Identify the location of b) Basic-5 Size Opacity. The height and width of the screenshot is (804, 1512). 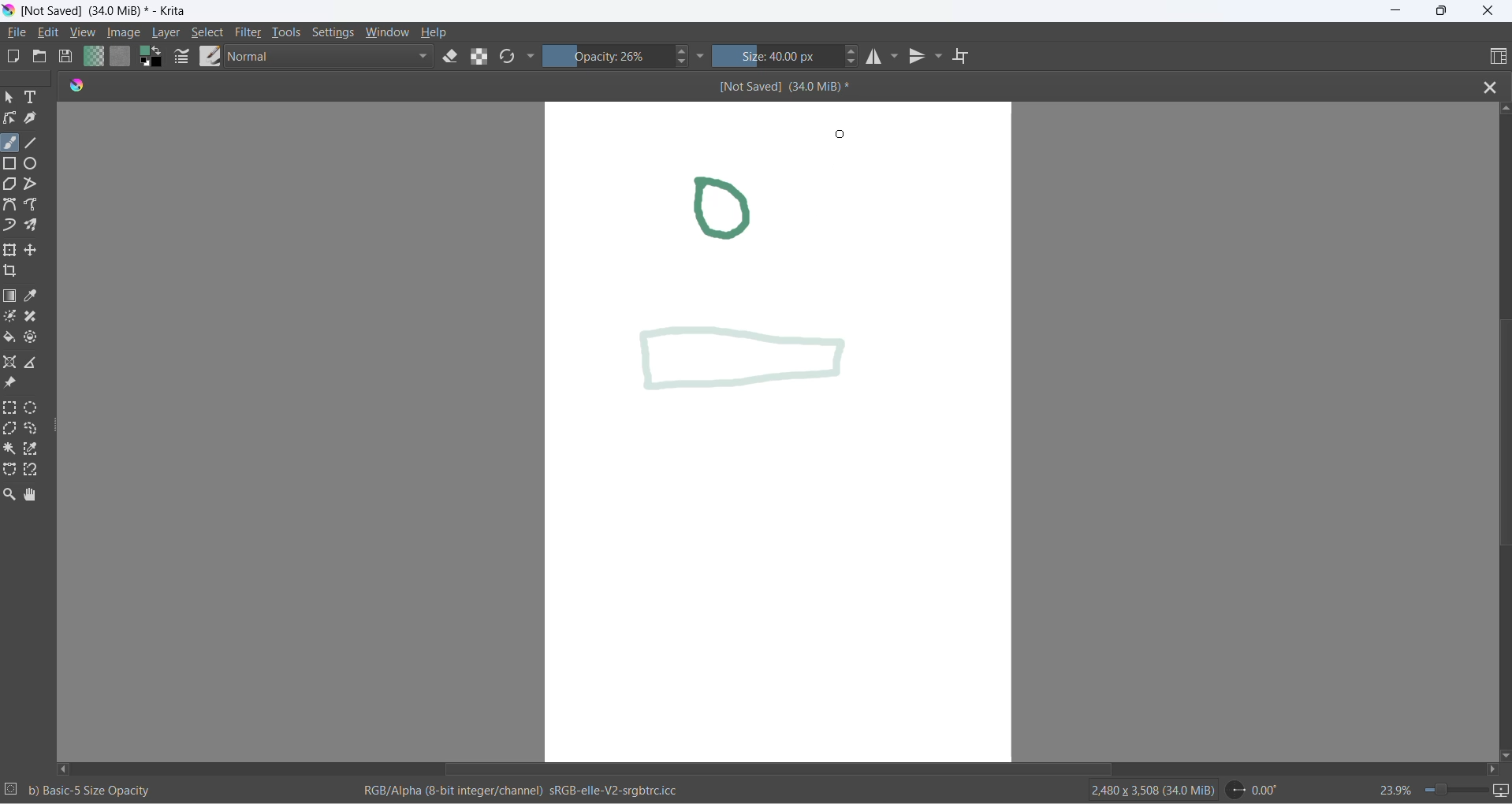
(92, 789).